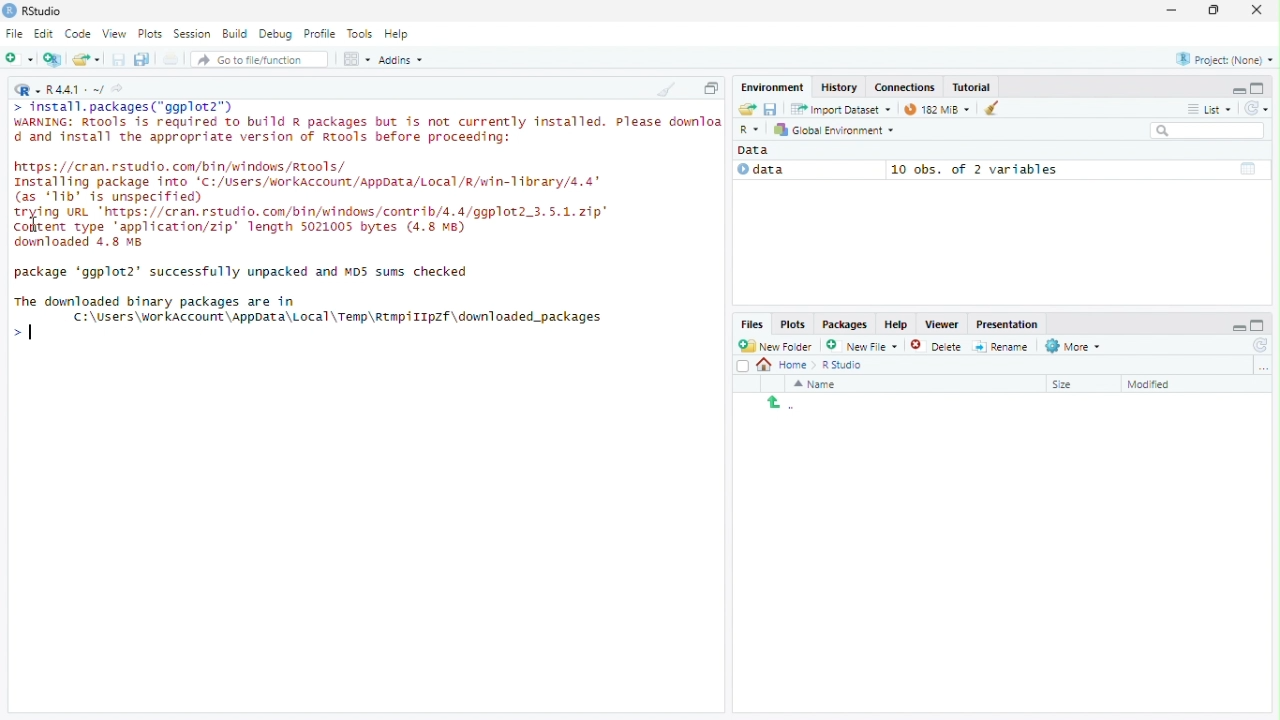 The width and height of the screenshot is (1280, 720). What do you see at coordinates (1259, 9) in the screenshot?
I see `Close` at bounding box center [1259, 9].